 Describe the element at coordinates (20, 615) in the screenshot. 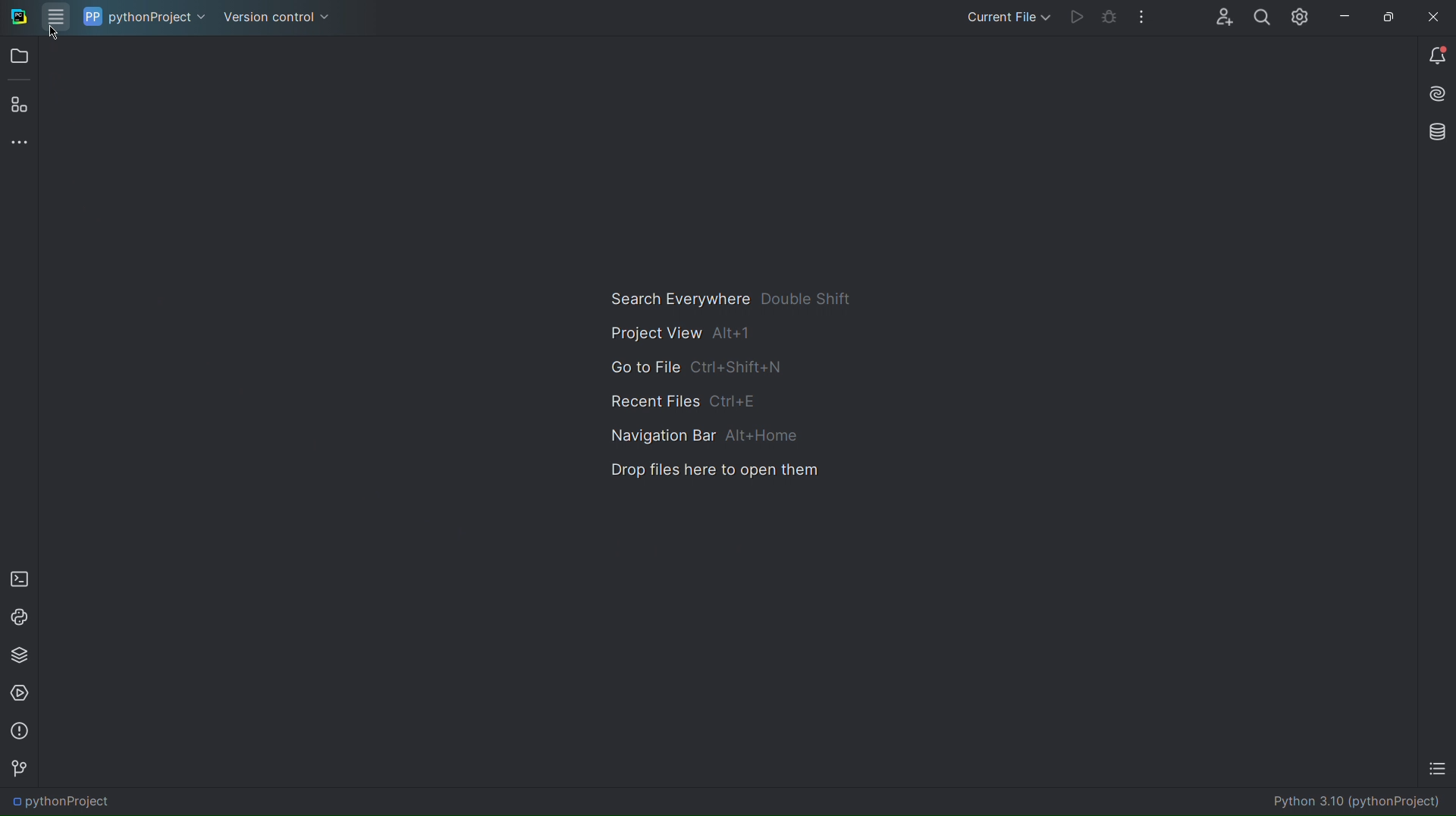

I see `Python Console` at that location.